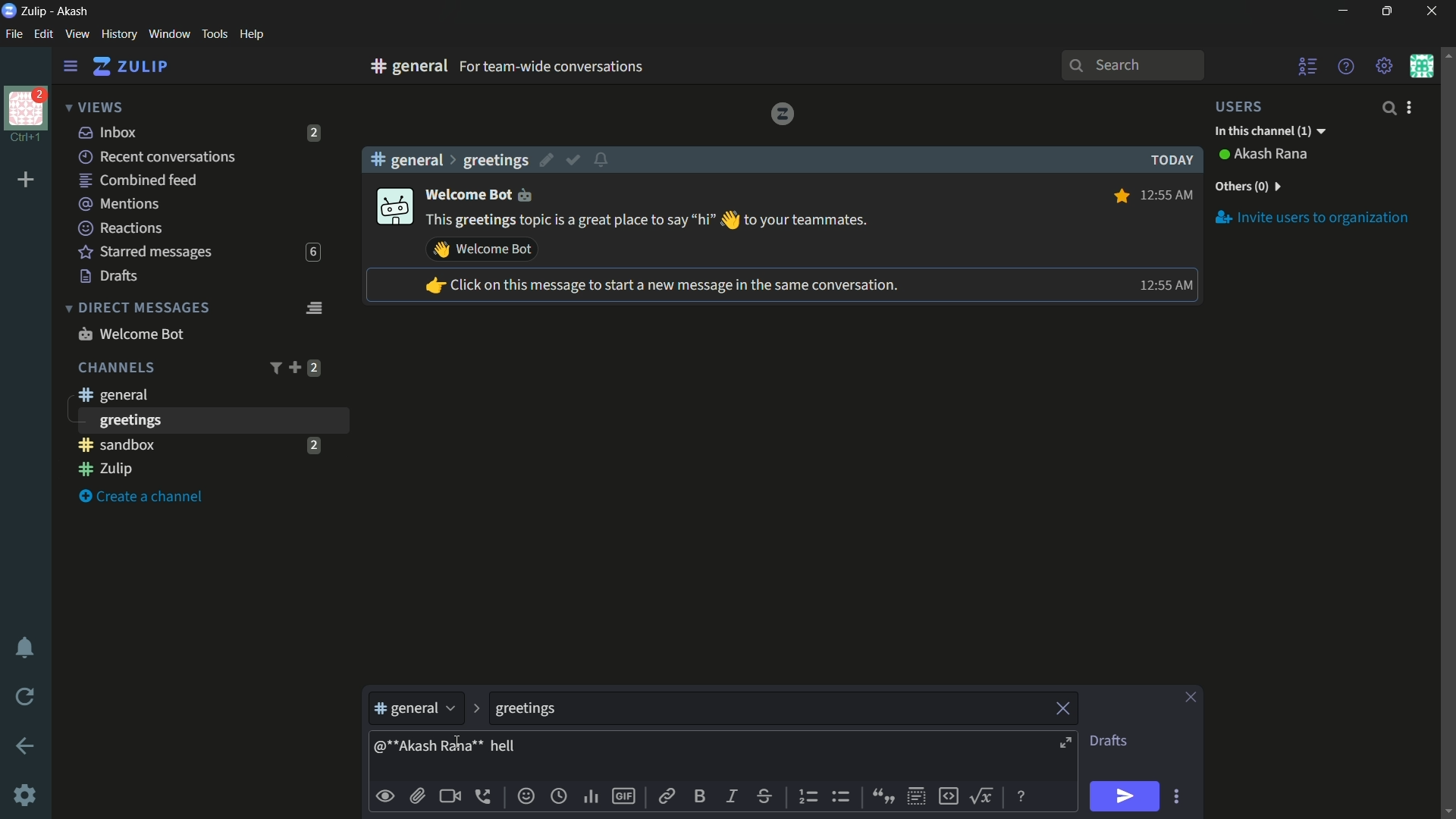 Image resolution: width=1456 pixels, height=819 pixels. Describe the element at coordinates (948, 795) in the screenshot. I see `code` at that location.